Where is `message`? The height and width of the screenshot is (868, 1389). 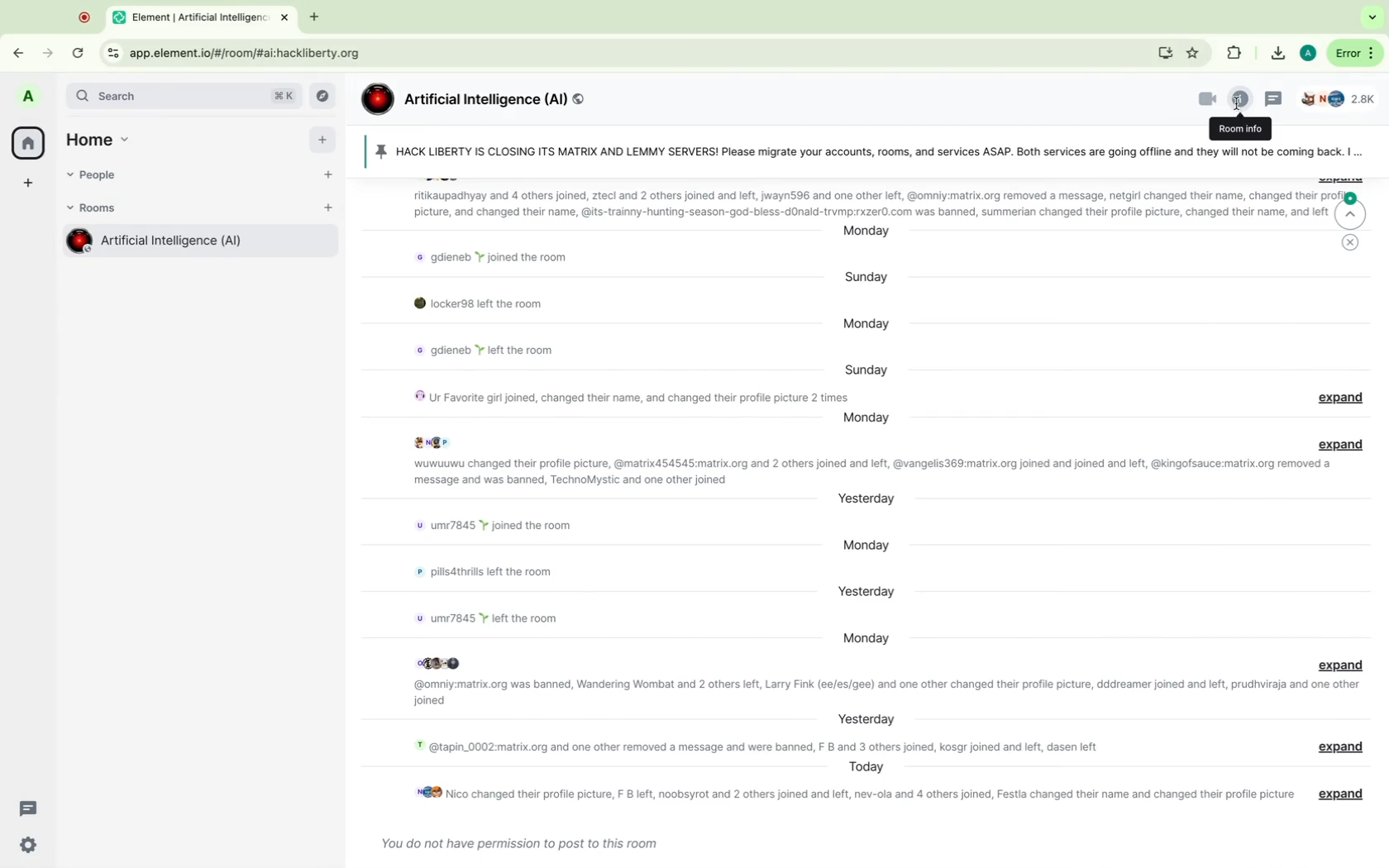 message is located at coordinates (884, 692).